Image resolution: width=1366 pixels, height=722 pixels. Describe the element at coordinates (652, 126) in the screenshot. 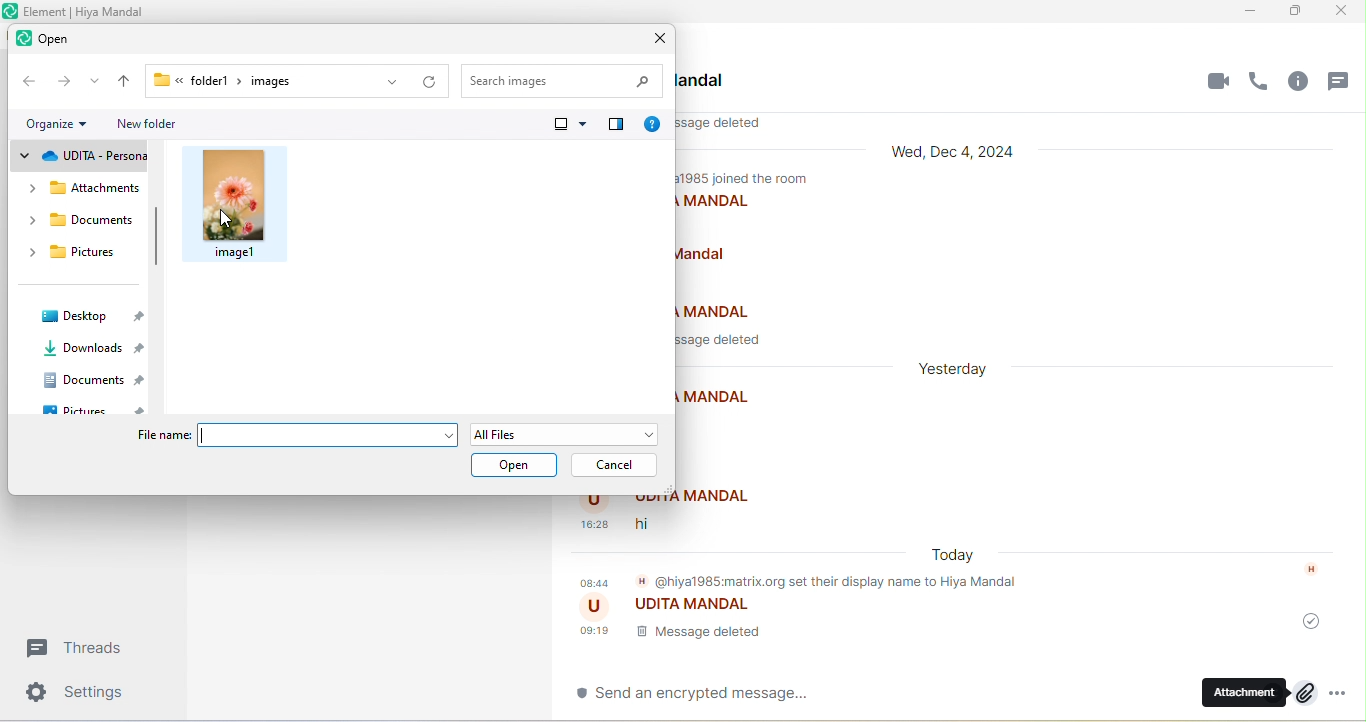

I see `help` at that location.